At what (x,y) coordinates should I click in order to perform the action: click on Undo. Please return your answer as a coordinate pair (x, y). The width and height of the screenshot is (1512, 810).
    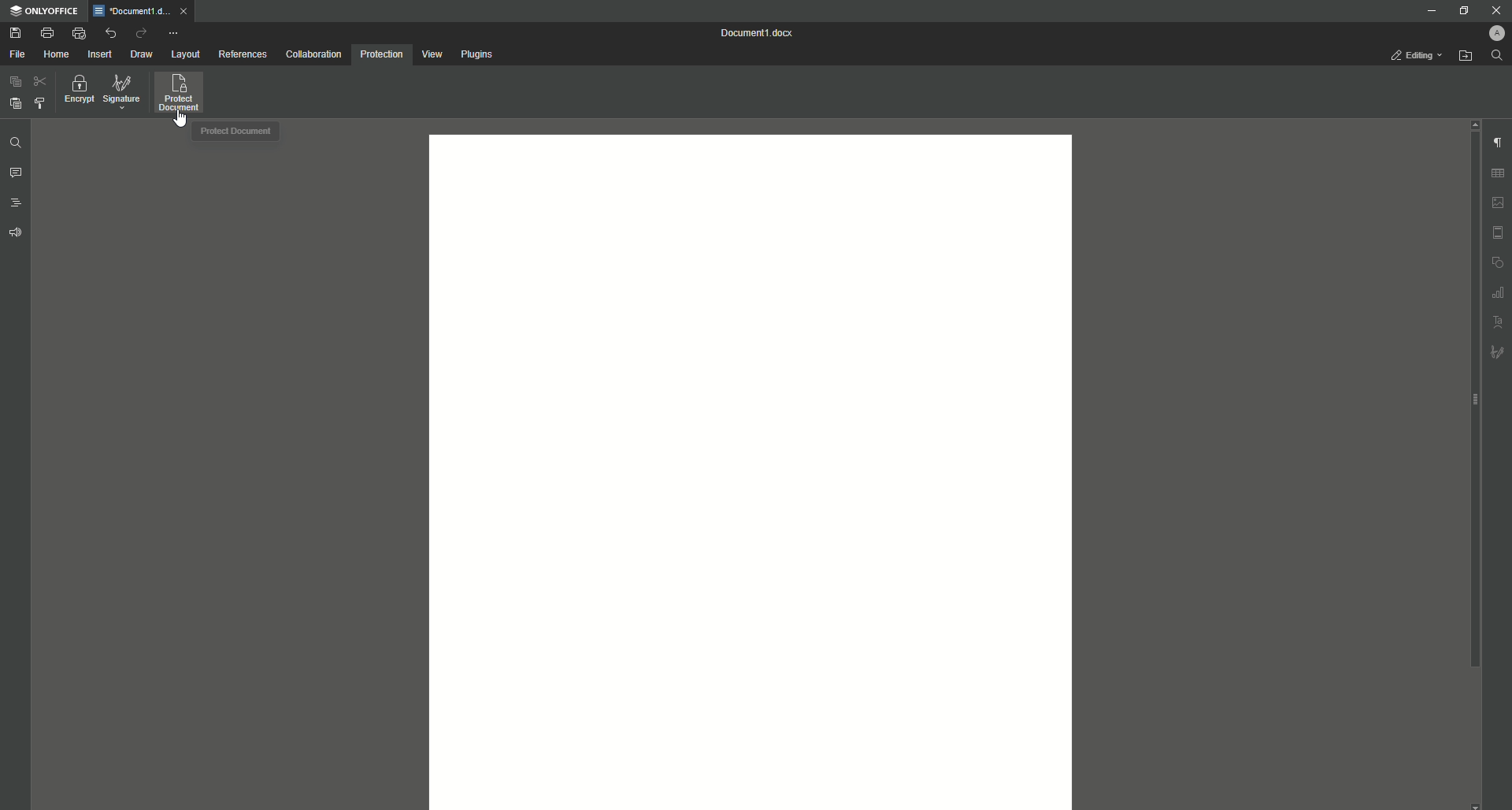
    Looking at the image, I should click on (110, 33).